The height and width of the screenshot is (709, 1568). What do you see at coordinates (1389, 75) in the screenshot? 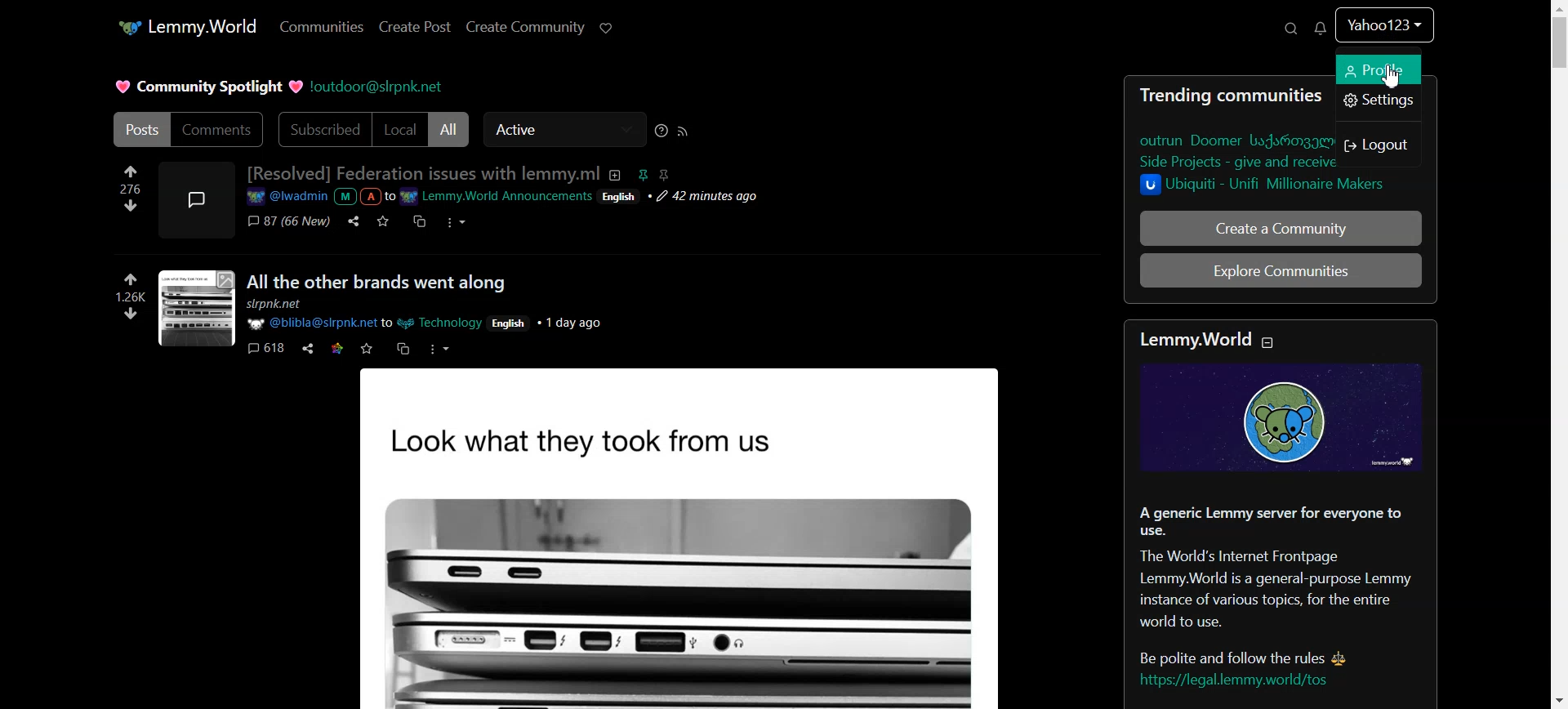
I see `cursor` at bounding box center [1389, 75].